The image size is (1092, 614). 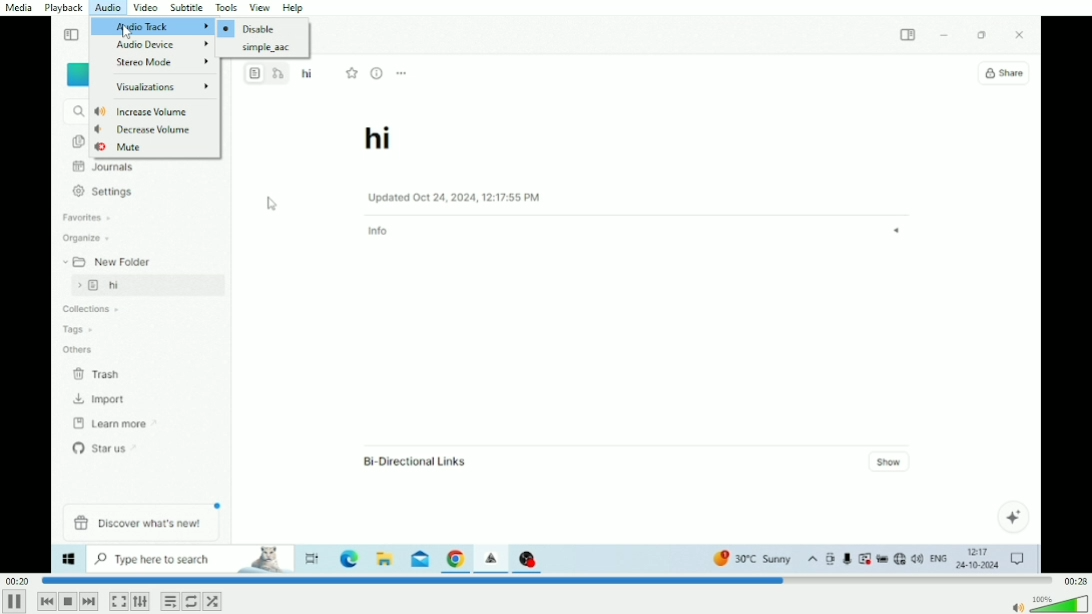 What do you see at coordinates (126, 31) in the screenshot?
I see `cursor` at bounding box center [126, 31].